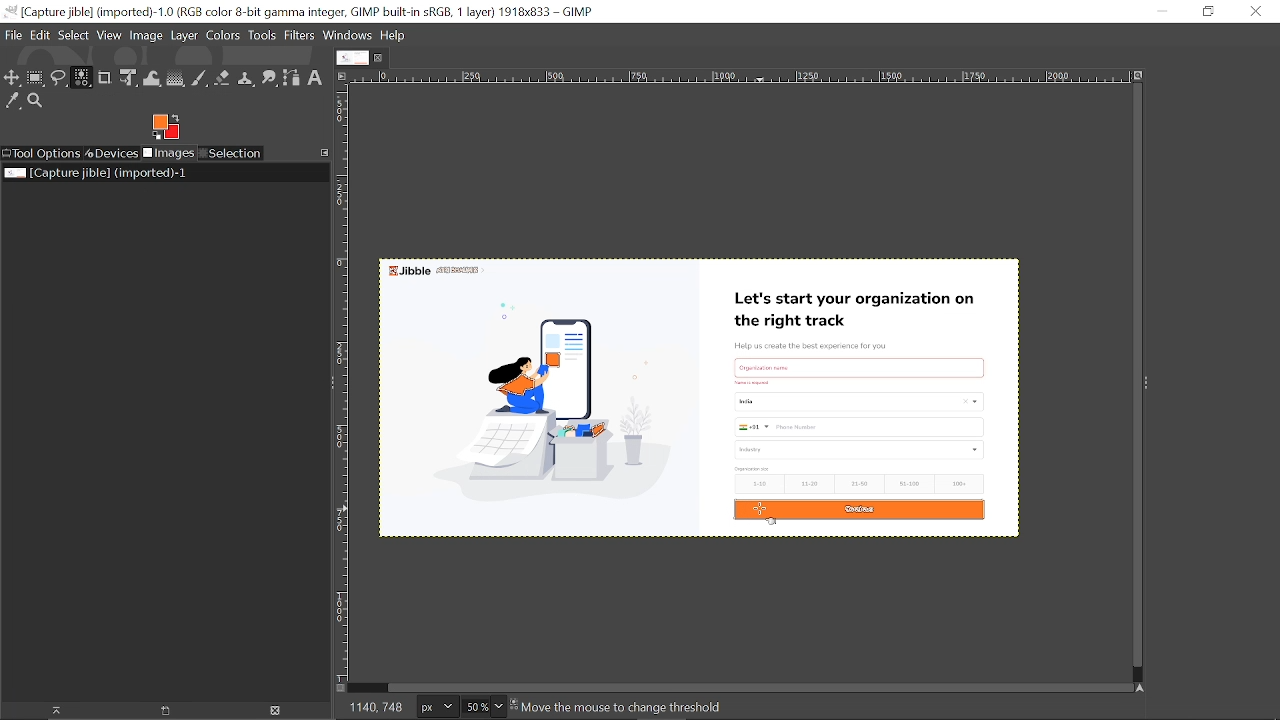  Describe the element at coordinates (111, 154) in the screenshot. I see `Devices` at that location.